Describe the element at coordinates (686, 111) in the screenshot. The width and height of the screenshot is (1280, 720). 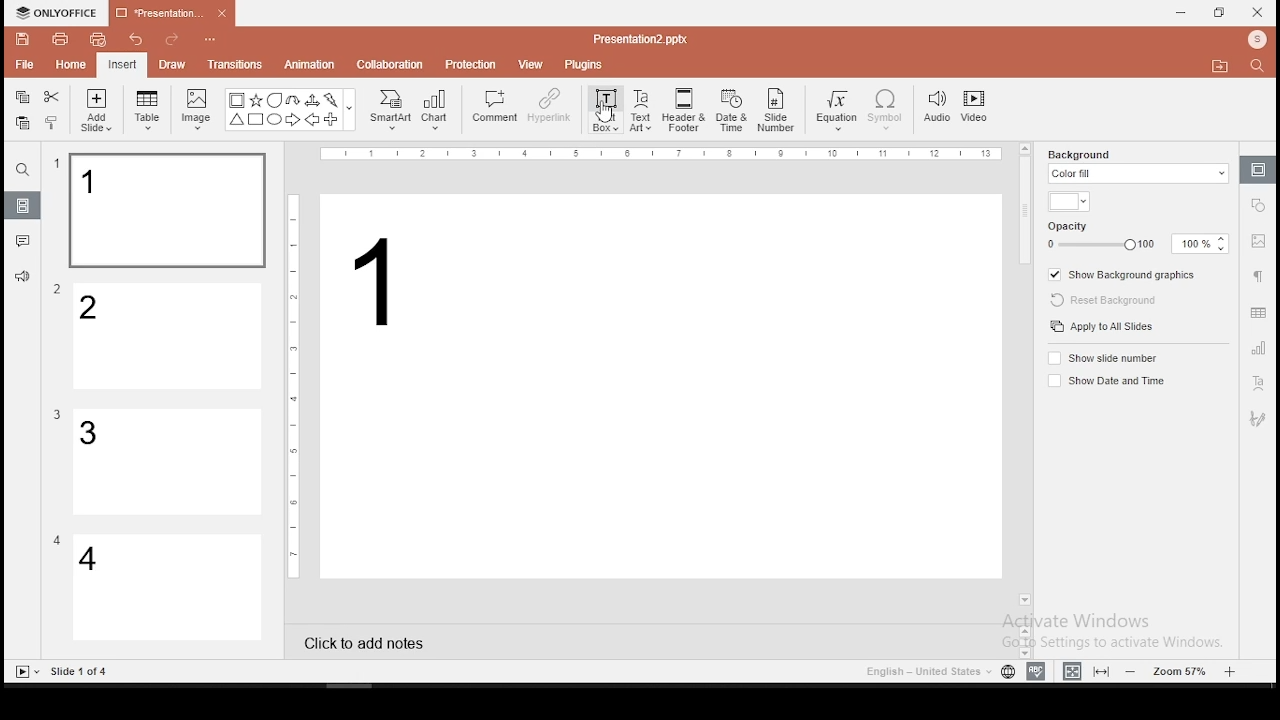
I see `header and footer` at that location.